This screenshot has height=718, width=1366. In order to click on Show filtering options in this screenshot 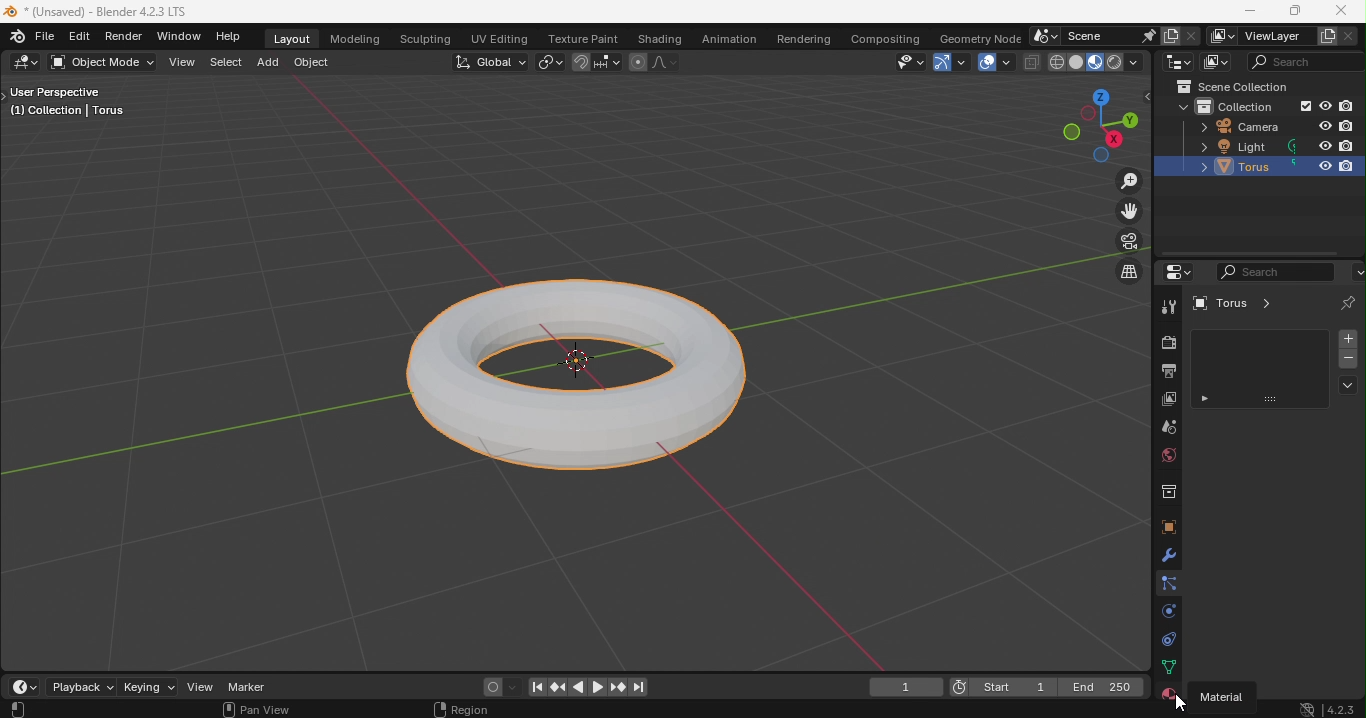, I will do `click(1203, 400)`.